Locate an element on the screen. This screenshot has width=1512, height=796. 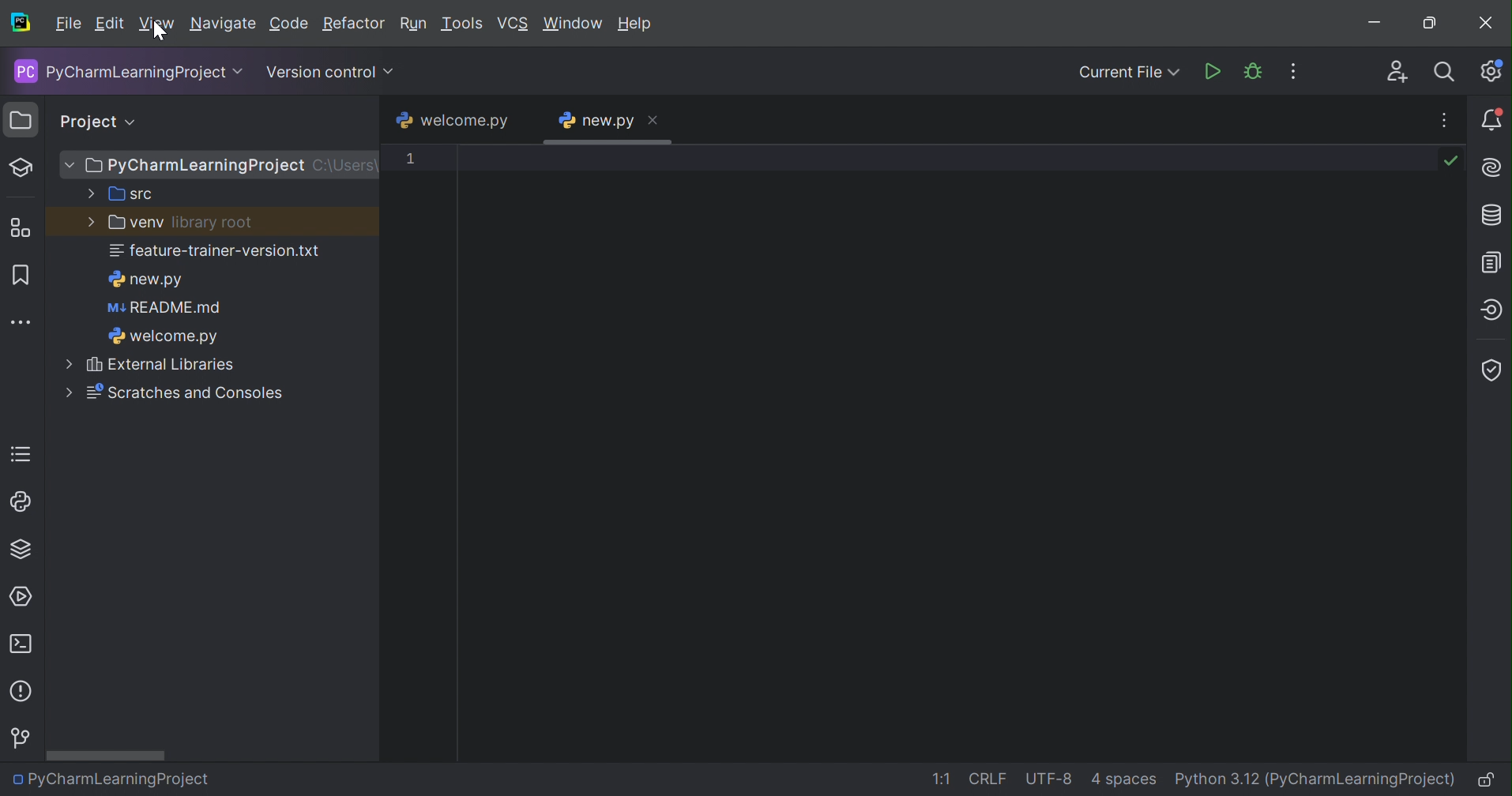
Make file read-only is located at coordinates (1491, 782).